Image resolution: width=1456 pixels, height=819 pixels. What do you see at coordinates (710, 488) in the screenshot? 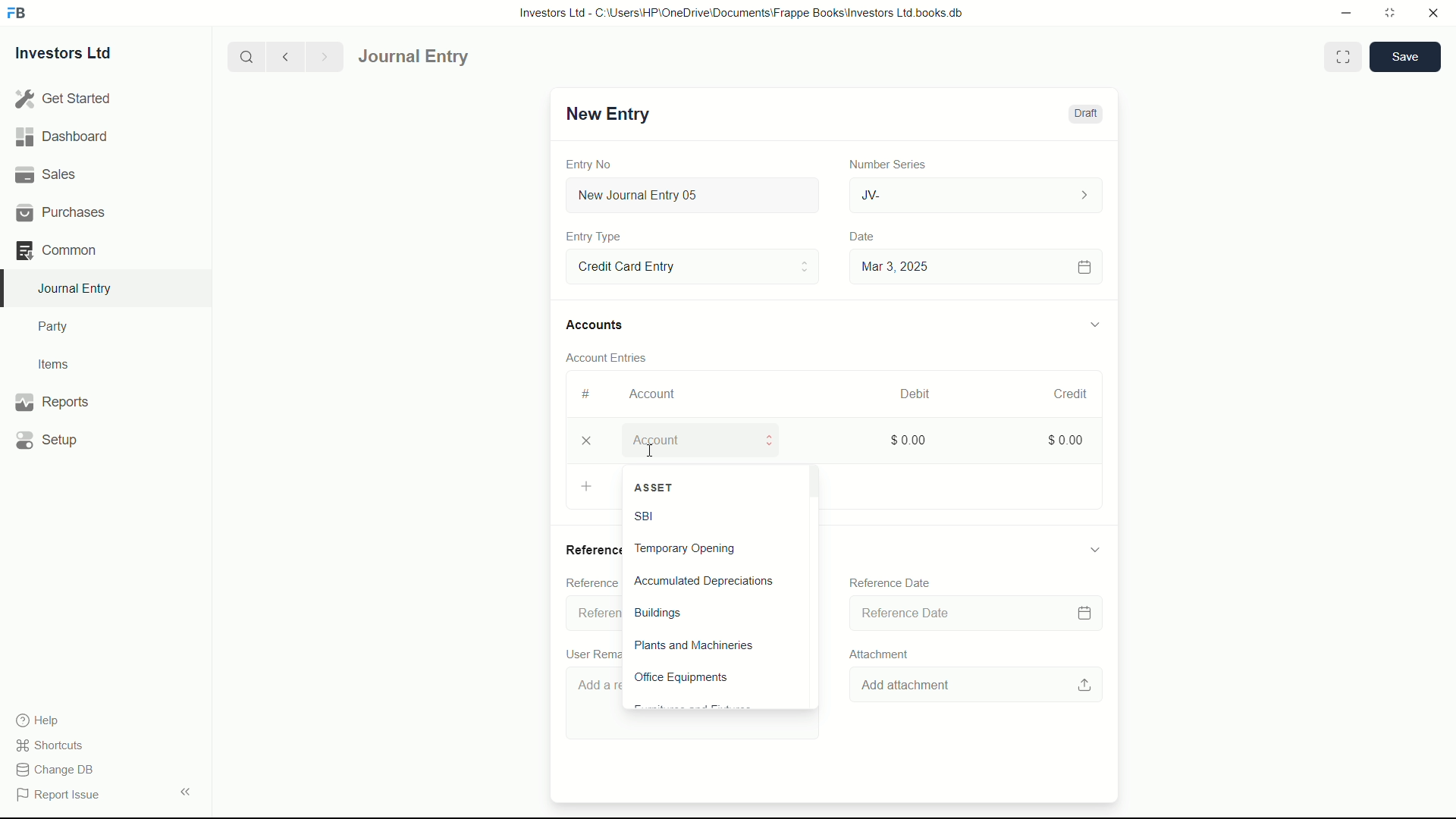
I see `ASSET` at bounding box center [710, 488].